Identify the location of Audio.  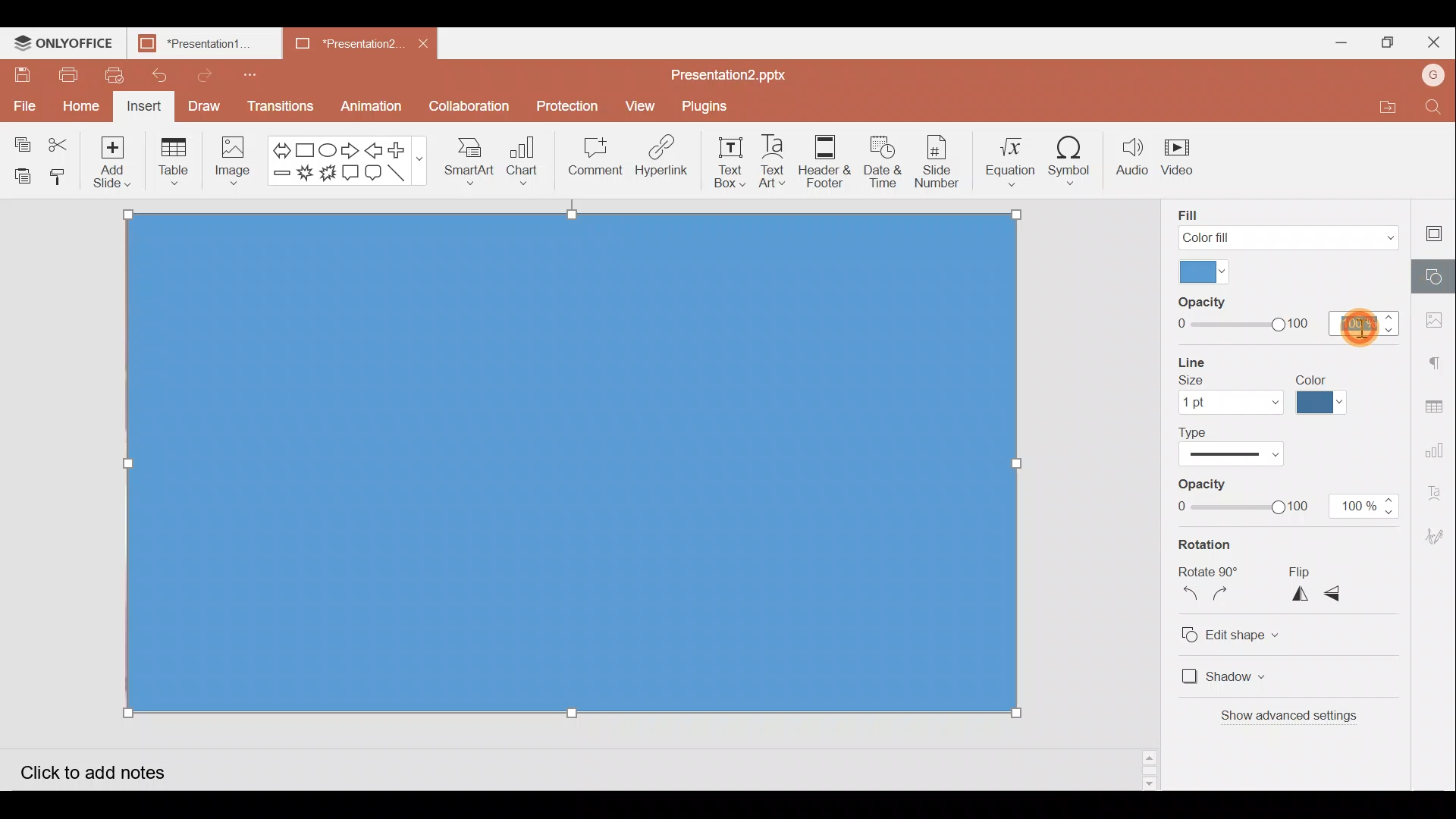
(1132, 159).